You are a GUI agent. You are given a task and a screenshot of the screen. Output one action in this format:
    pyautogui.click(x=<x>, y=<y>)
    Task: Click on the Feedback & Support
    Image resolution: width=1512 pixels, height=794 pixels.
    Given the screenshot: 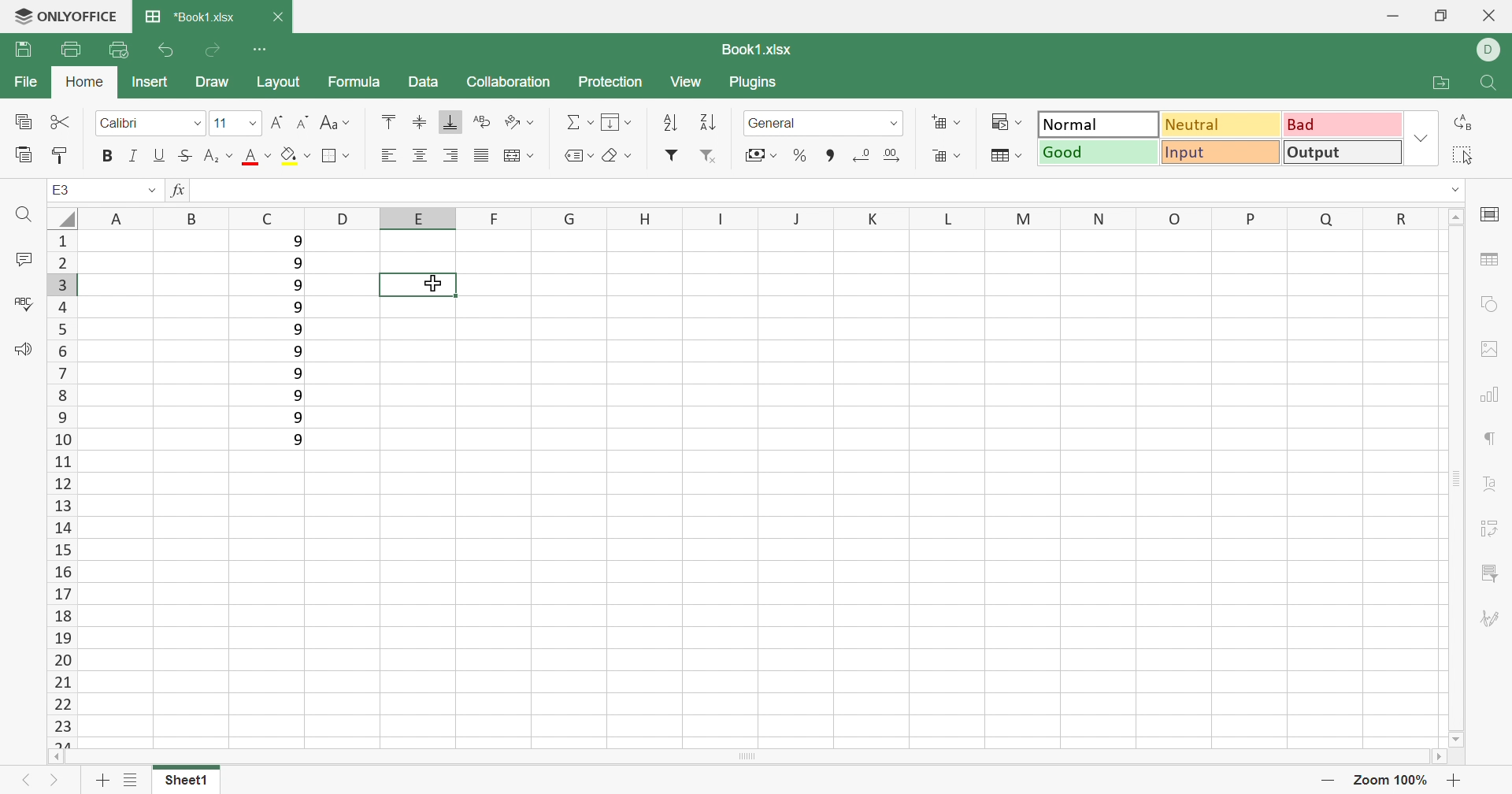 What is the action you would take?
    pyautogui.click(x=23, y=351)
    